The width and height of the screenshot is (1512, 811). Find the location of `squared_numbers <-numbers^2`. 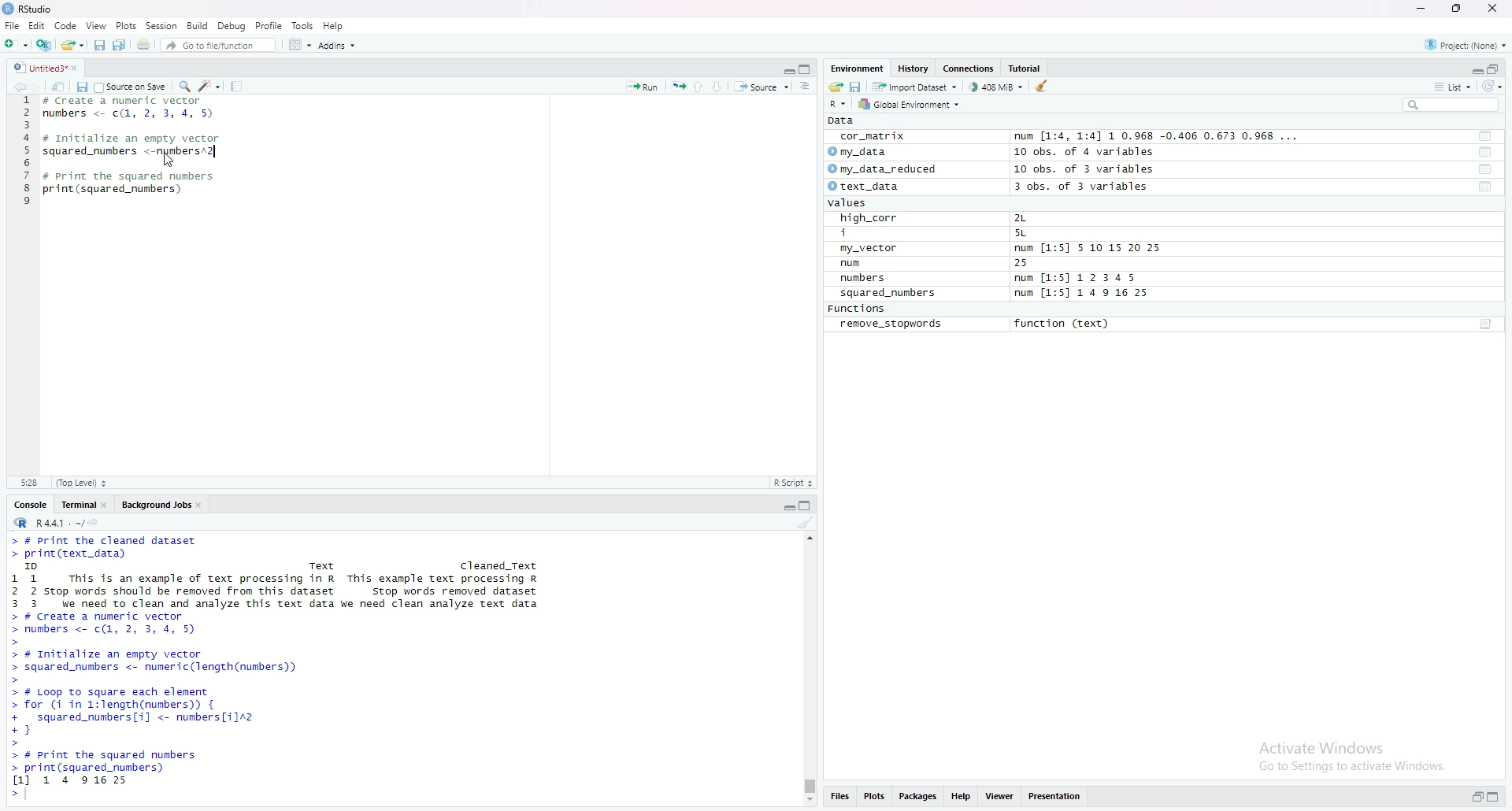

squared_numbers <-numbers^2 is located at coordinates (133, 152).